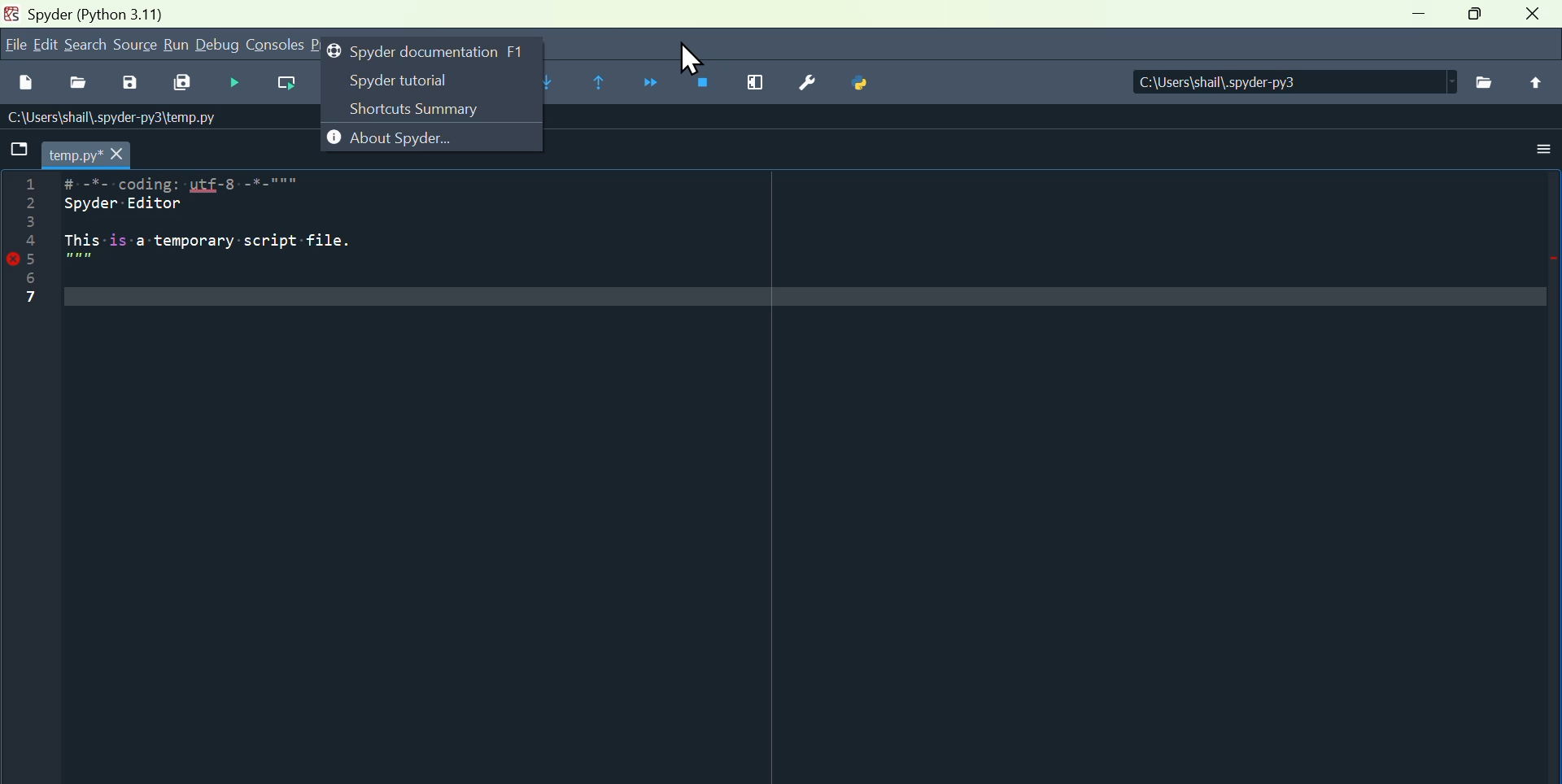  I want to click on New files, so click(21, 84).